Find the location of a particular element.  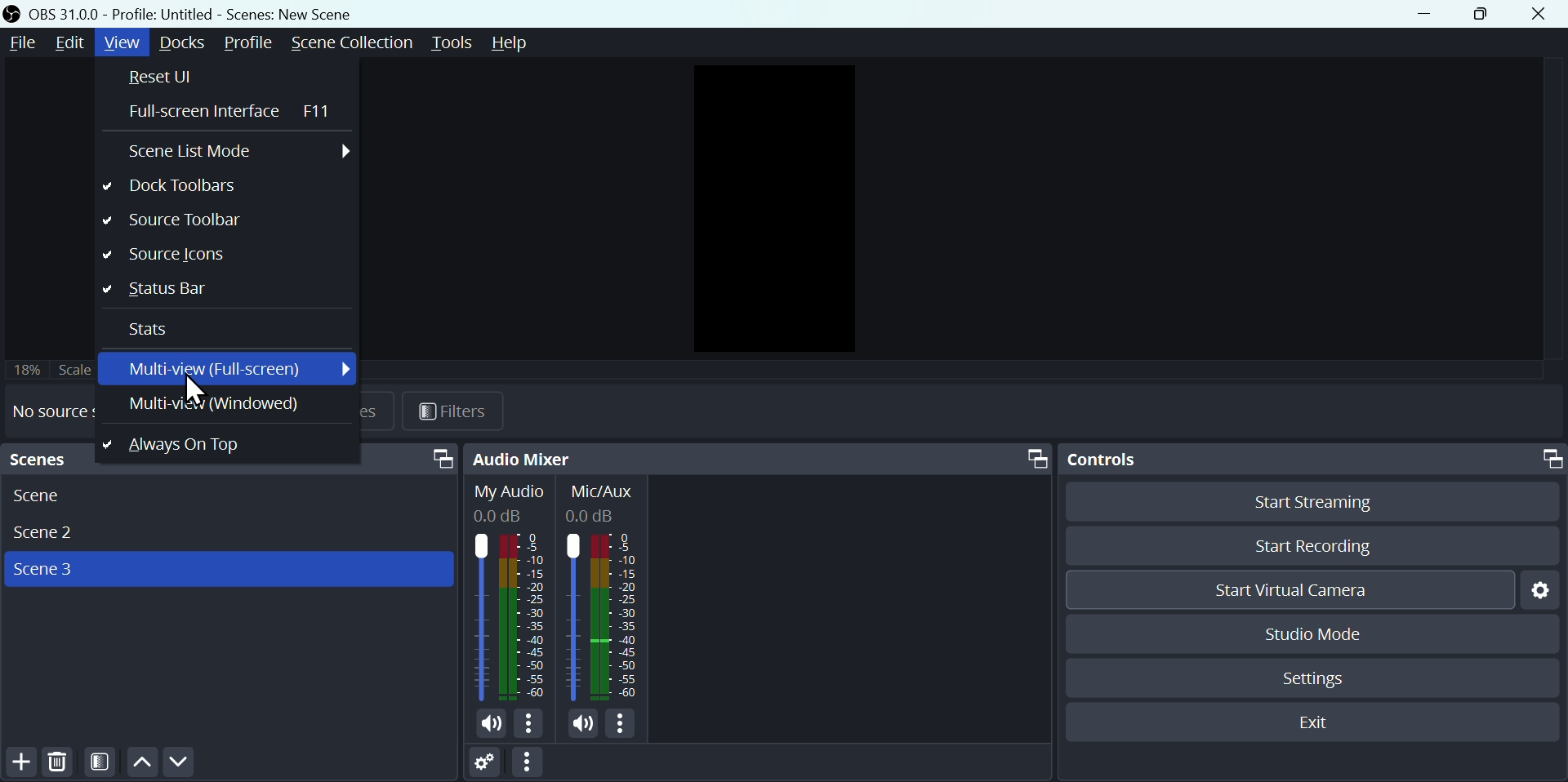

Source tool is located at coordinates (219, 255).